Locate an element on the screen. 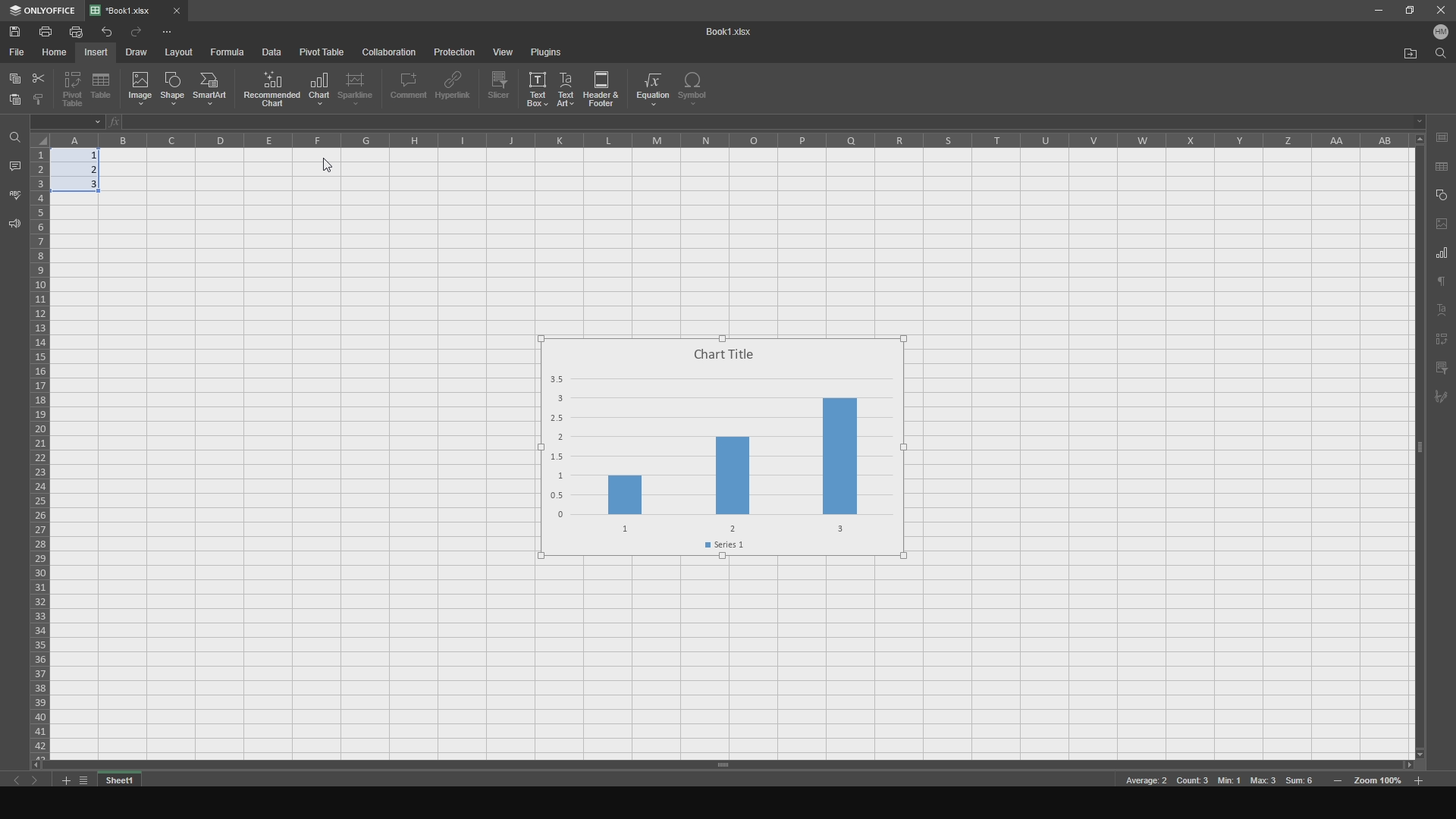 This screenshot has height=819, width=1456. comment is located at coordinates (406, 89).